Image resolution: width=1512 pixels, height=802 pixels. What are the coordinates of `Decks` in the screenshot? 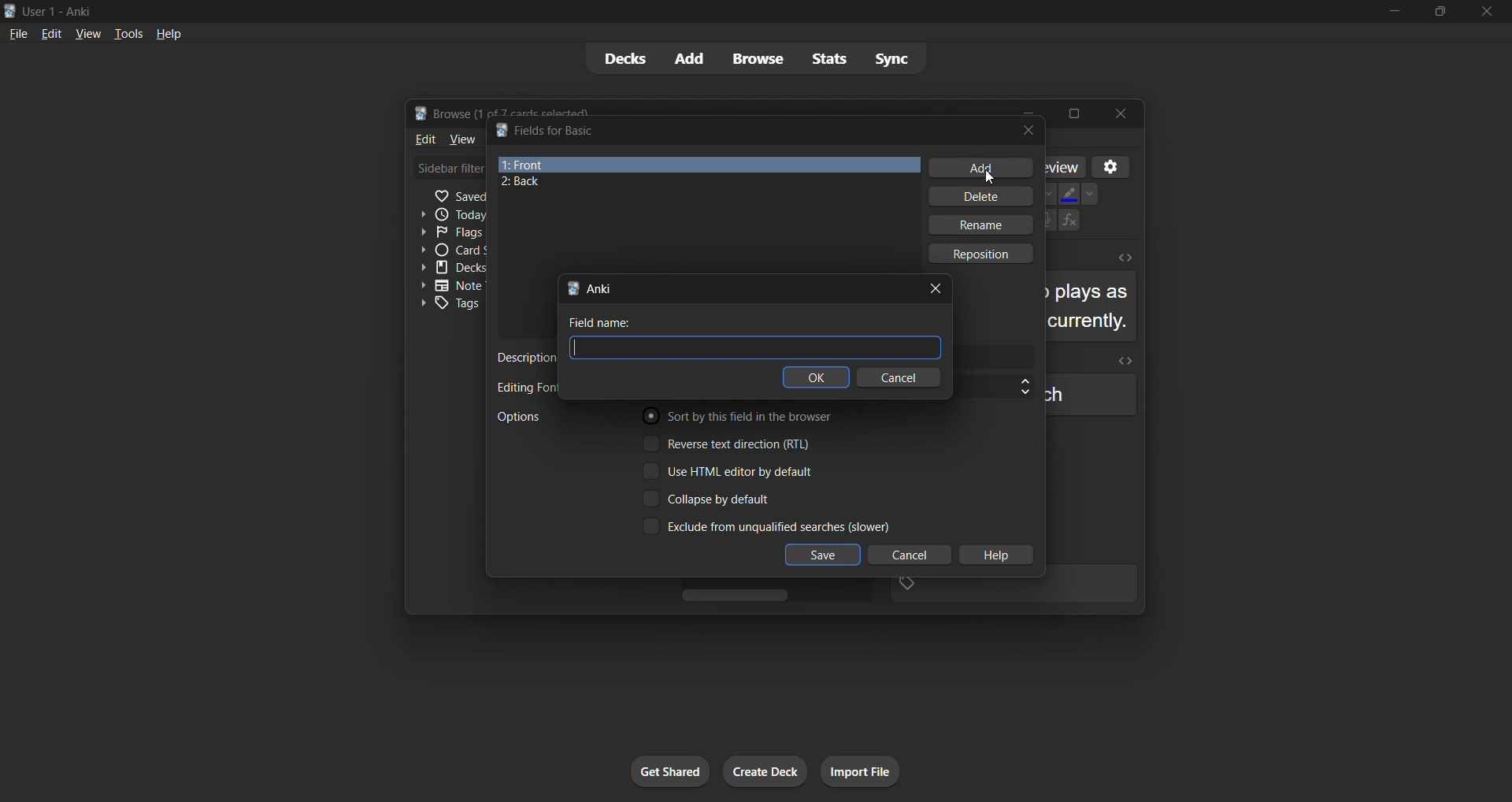 It's located at (451, 267).